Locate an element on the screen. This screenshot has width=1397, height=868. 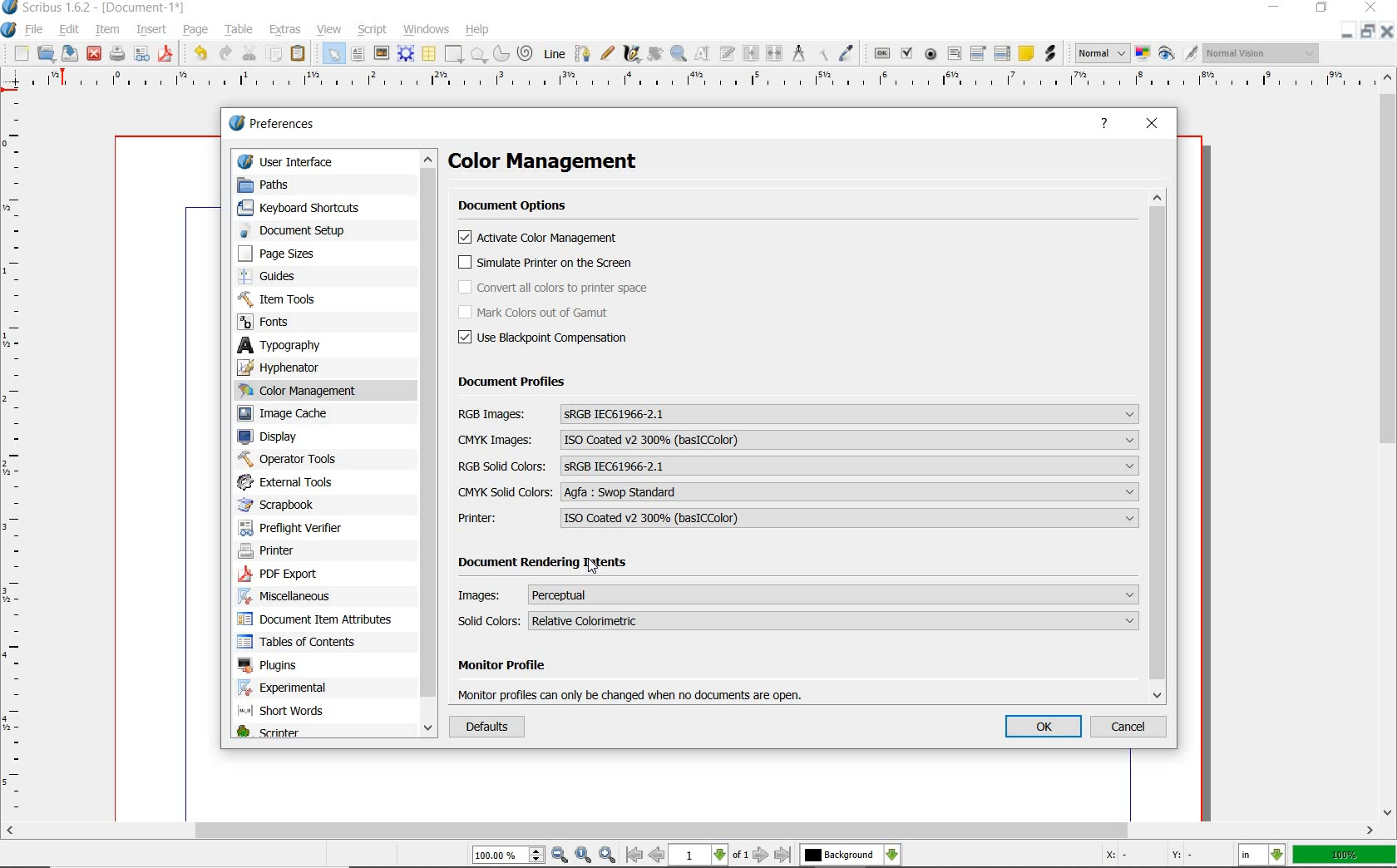
file is located at coordinates (37, 28).